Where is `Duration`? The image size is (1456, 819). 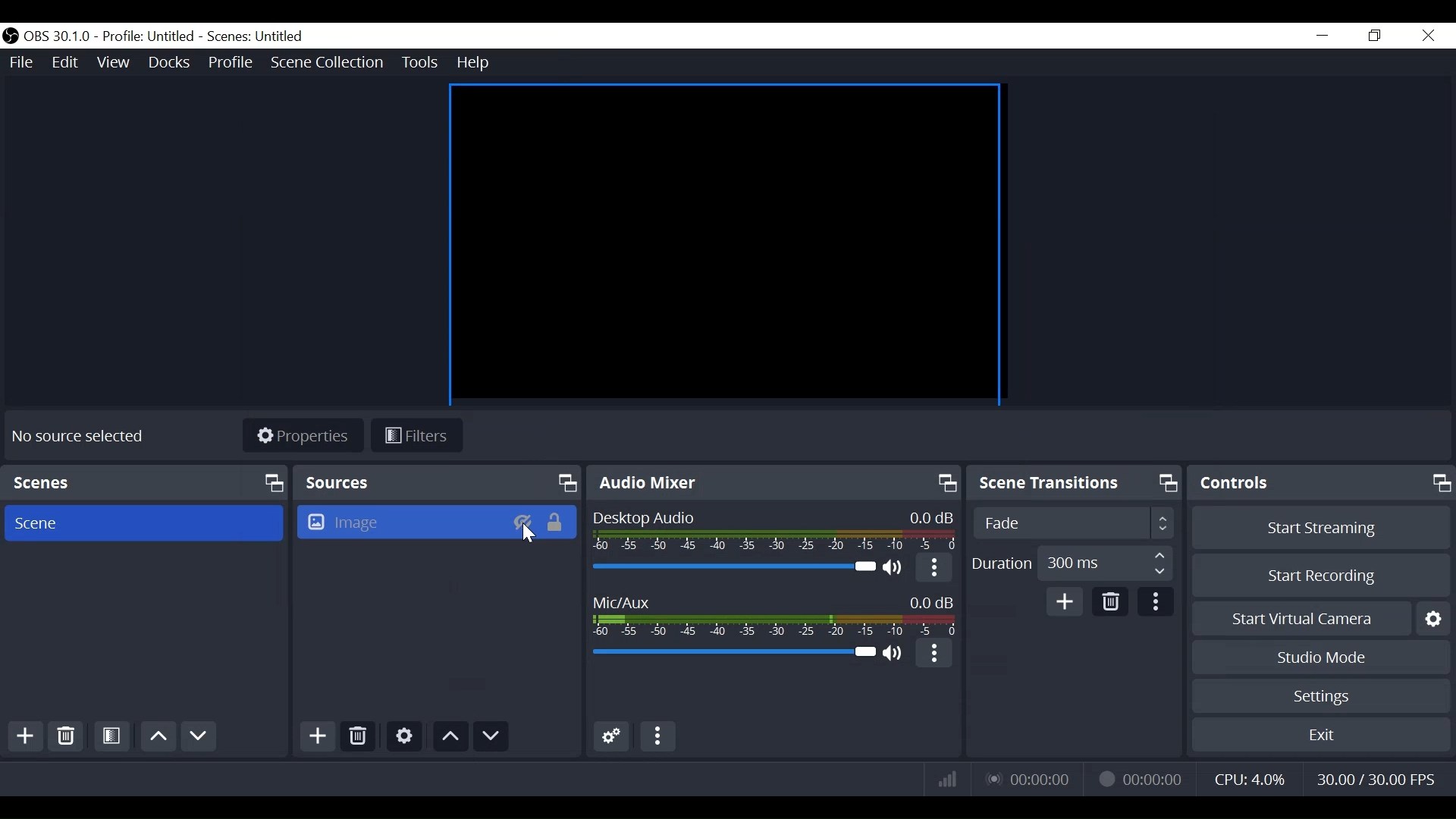
Duration is located at coordinates (1073, 563).